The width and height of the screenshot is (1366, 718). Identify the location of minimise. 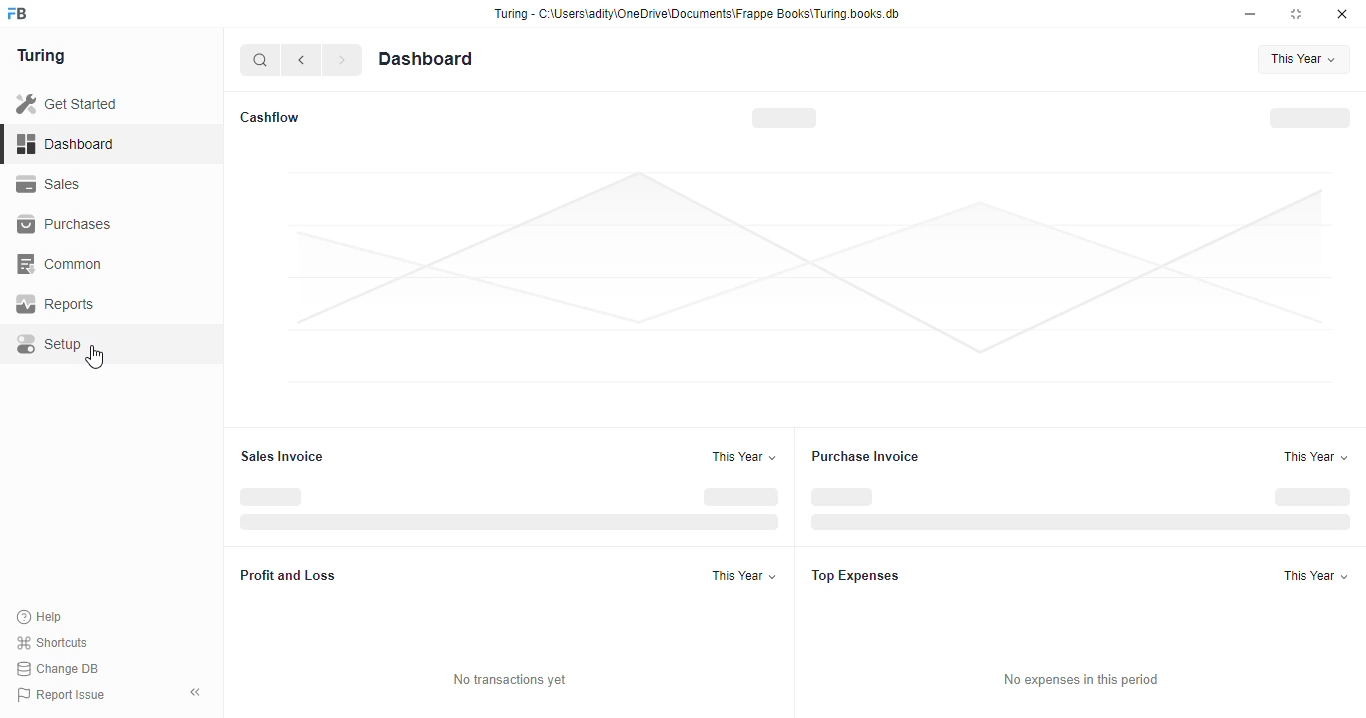
(1253, 14).